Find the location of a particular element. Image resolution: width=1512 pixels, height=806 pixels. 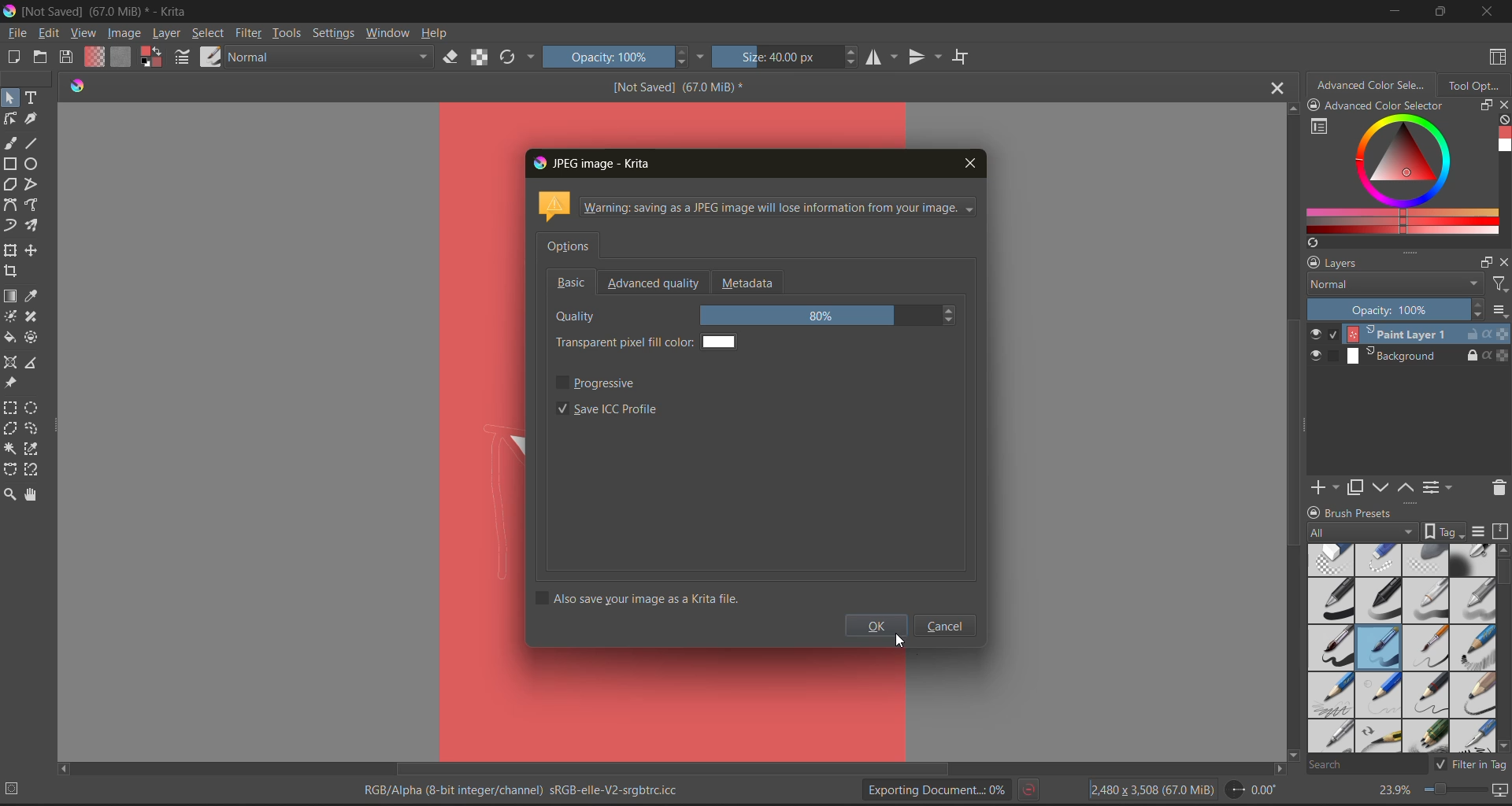

tools is located at coordinates (35, 338).